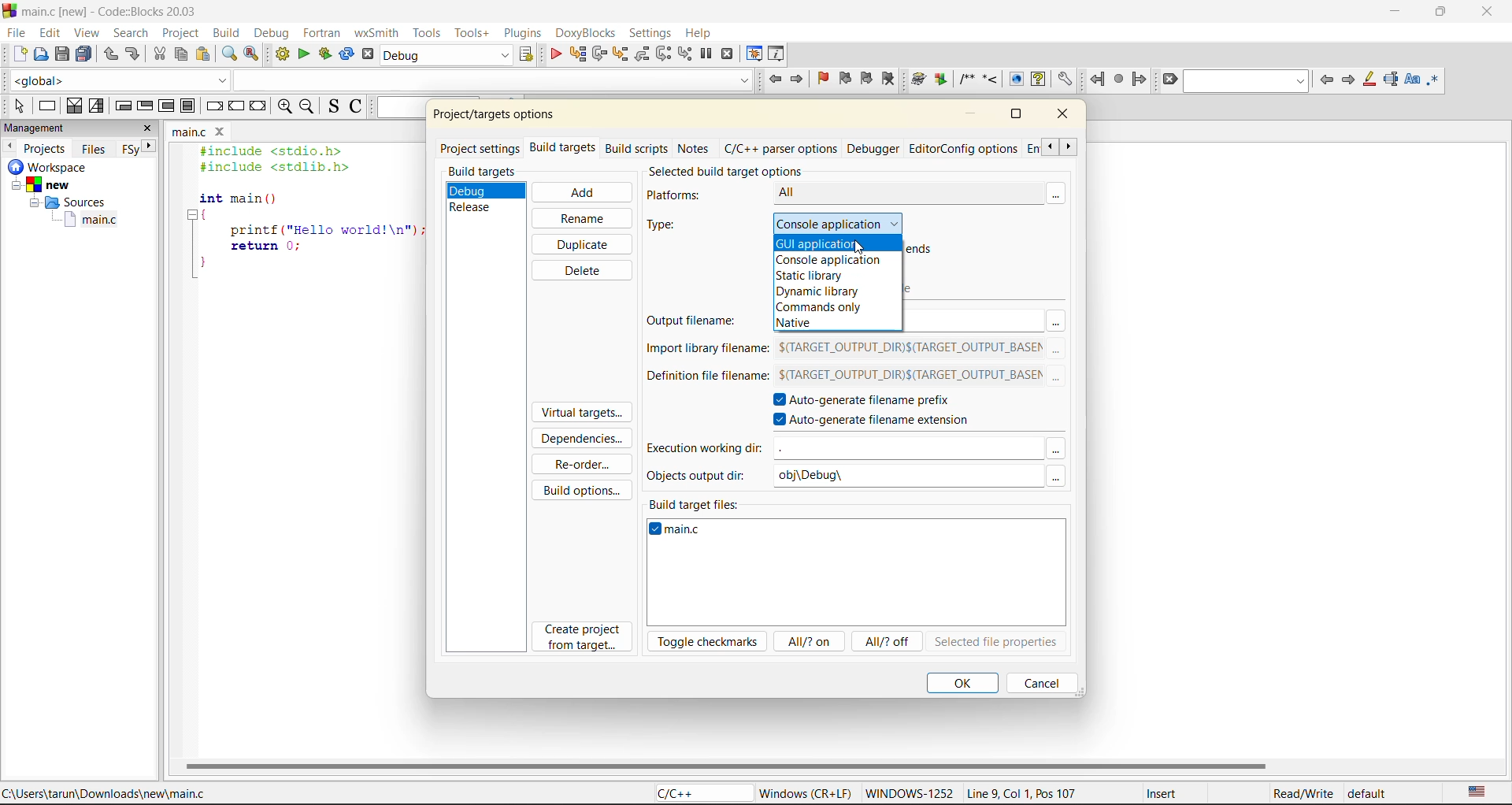  What do you see at coordinates (905, 476) in the screenshot?
I see `obj\Debug\` at bounding box center [905, 476].